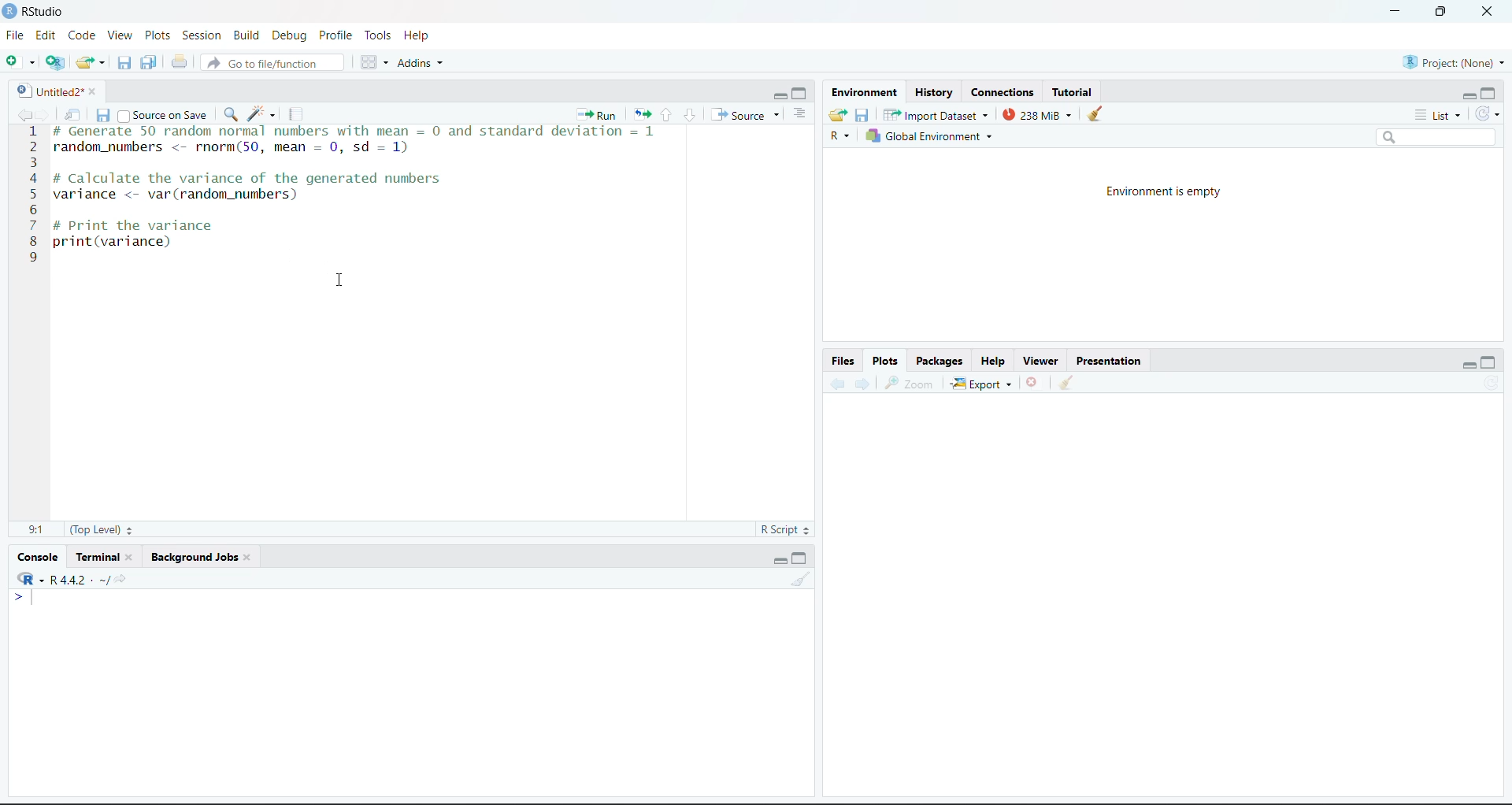 The image size is (1512, 805). I want to click on clear, so click(800, 579).